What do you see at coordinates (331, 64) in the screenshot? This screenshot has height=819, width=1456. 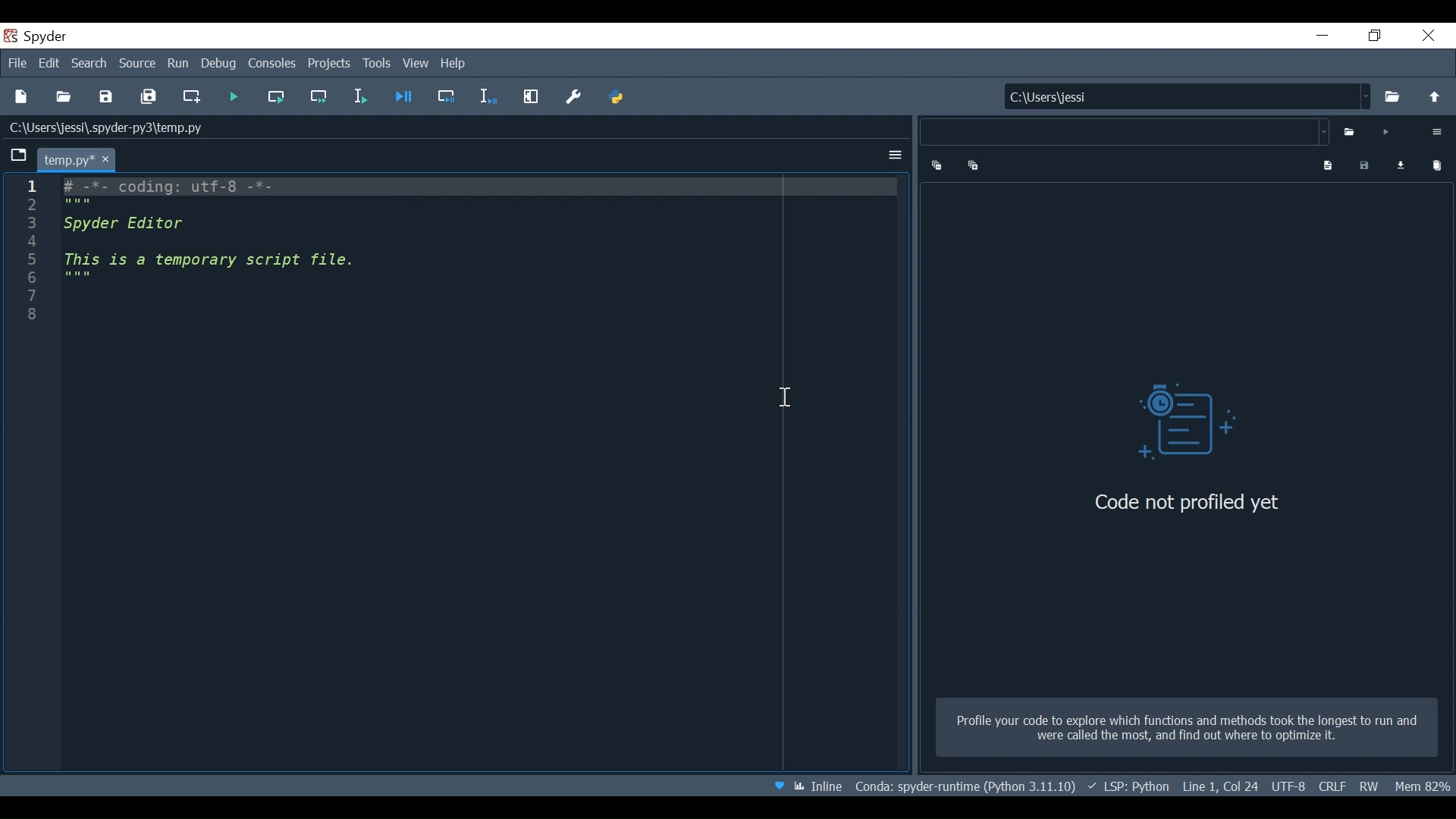 I see `Projects` at bounding box center [331, 64].